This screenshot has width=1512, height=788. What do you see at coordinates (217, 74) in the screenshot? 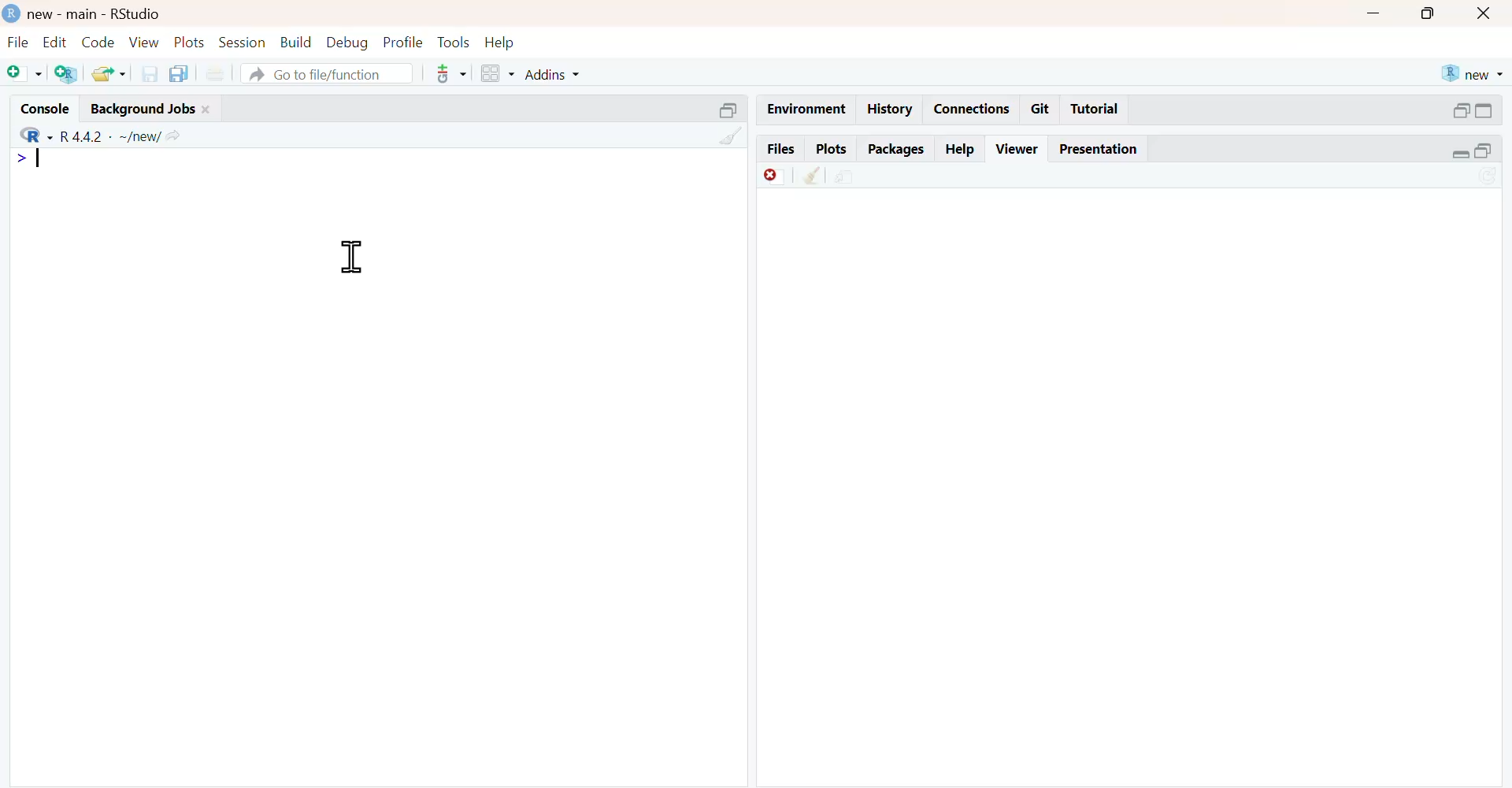
I see `print` at bounding box center [217, 74].